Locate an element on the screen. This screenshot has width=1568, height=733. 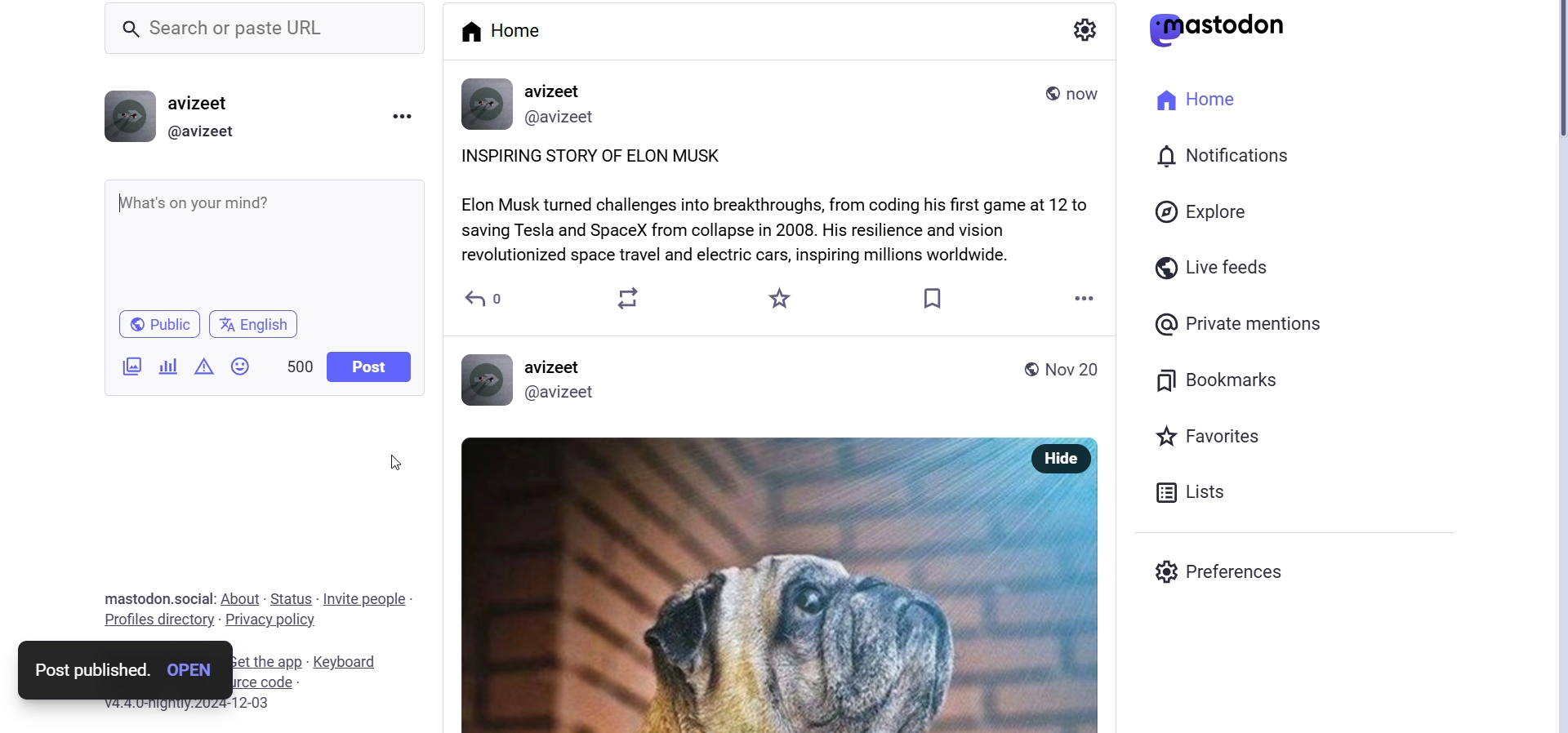
home is located at coordinates (1198, 100).